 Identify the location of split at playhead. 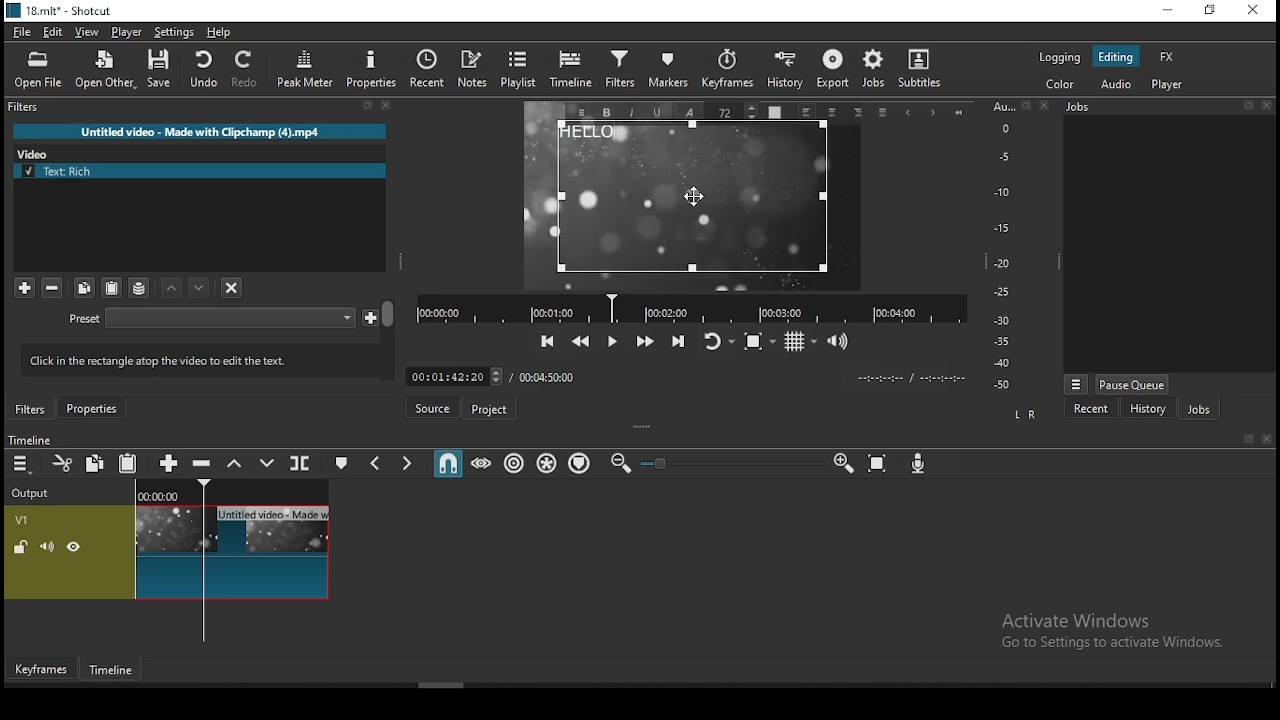
(301, 462).